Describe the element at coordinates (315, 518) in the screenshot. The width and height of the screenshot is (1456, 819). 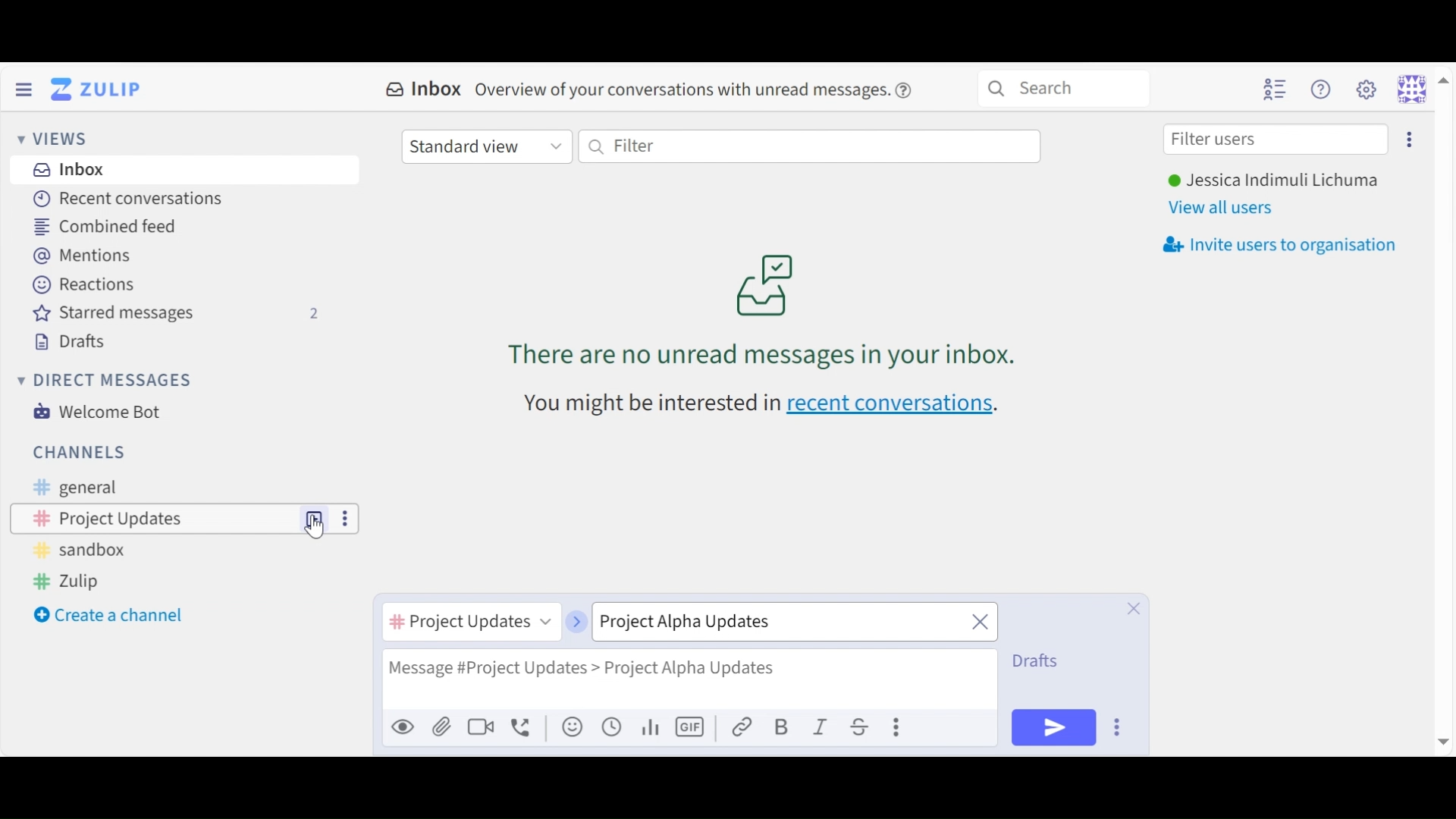
I see `New Topic` at that location.